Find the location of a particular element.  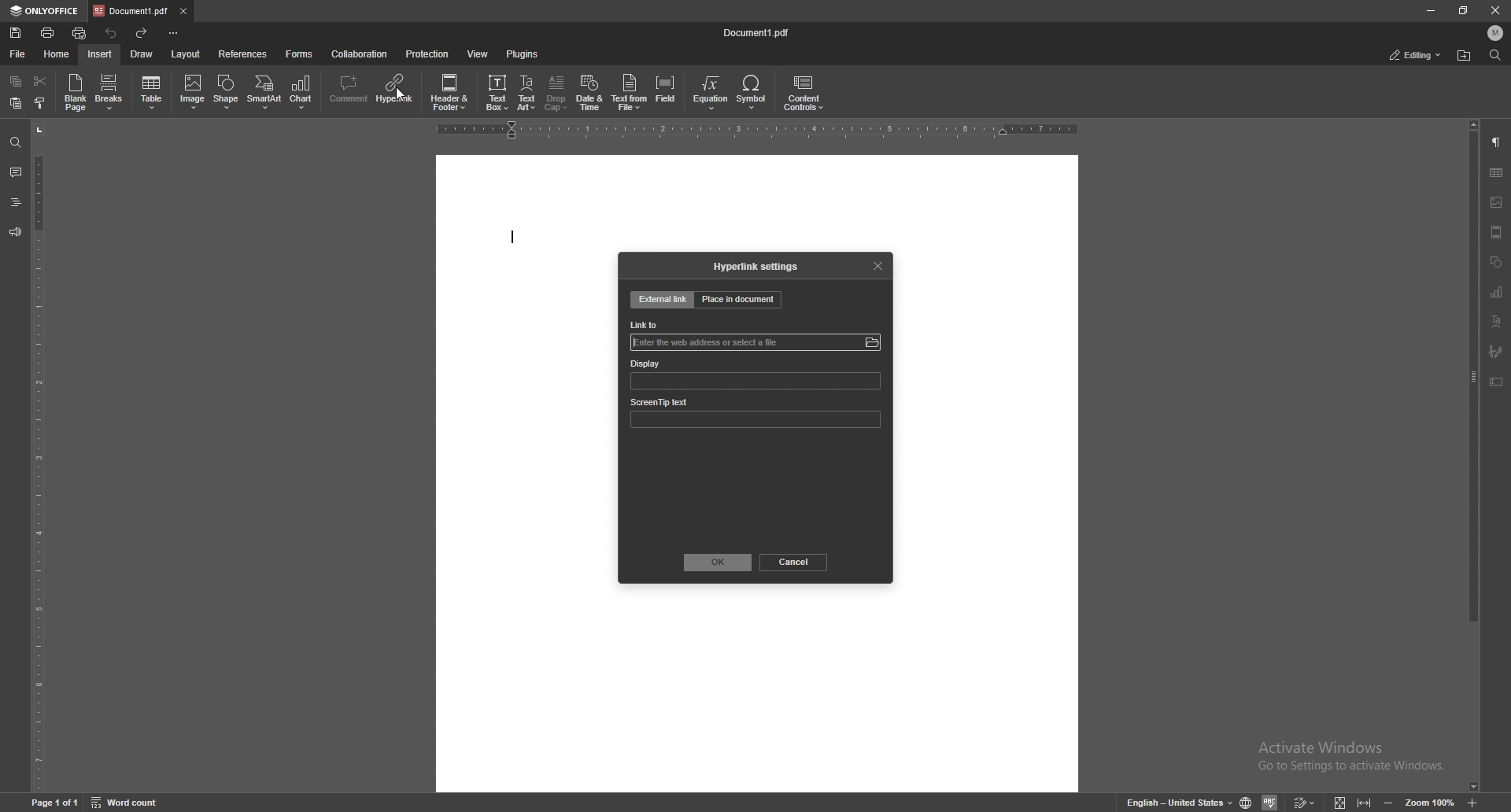

text from file is located at coordinates (630, 93).